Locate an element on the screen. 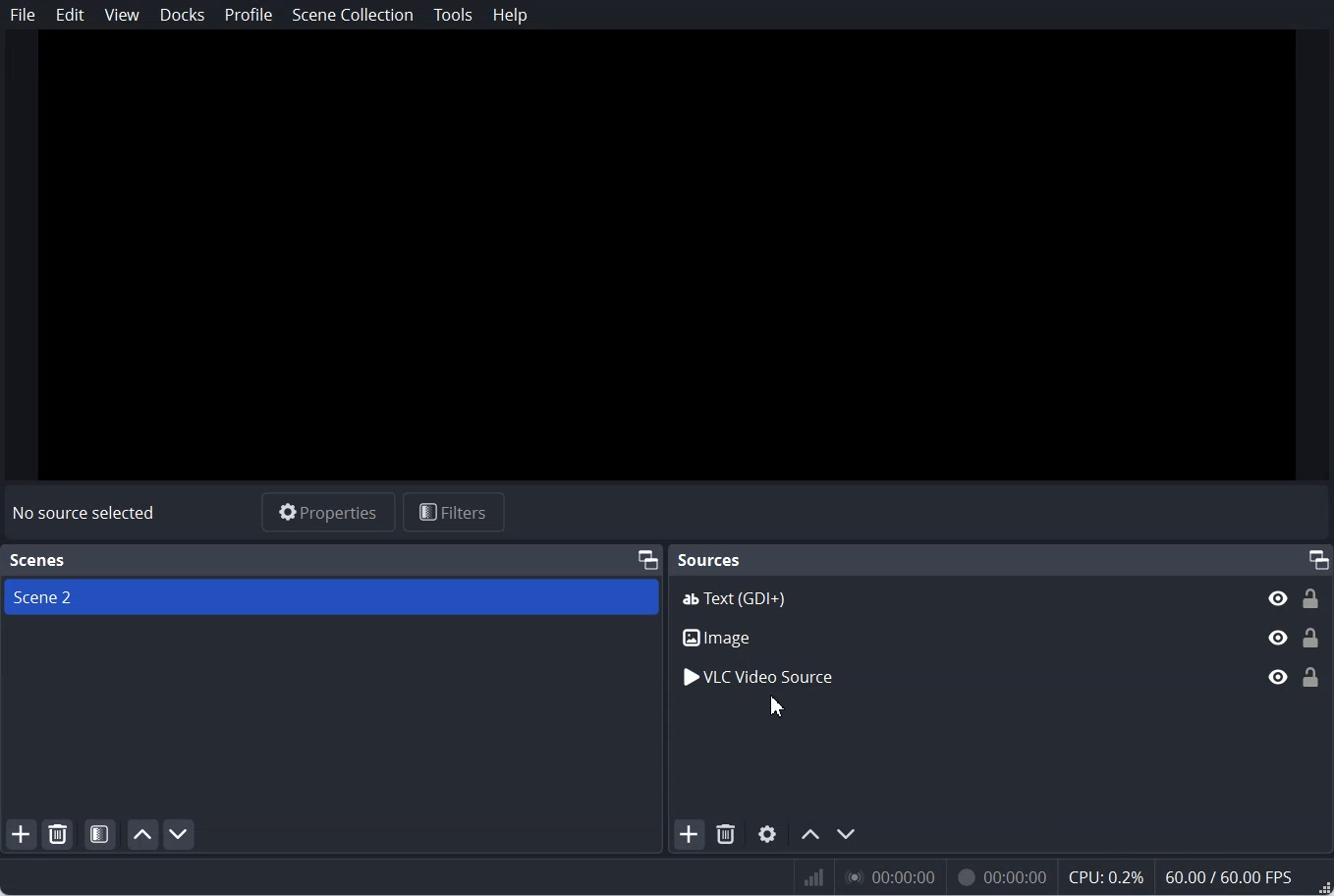  VLC Video Source is located at coordinates (1001, 677).